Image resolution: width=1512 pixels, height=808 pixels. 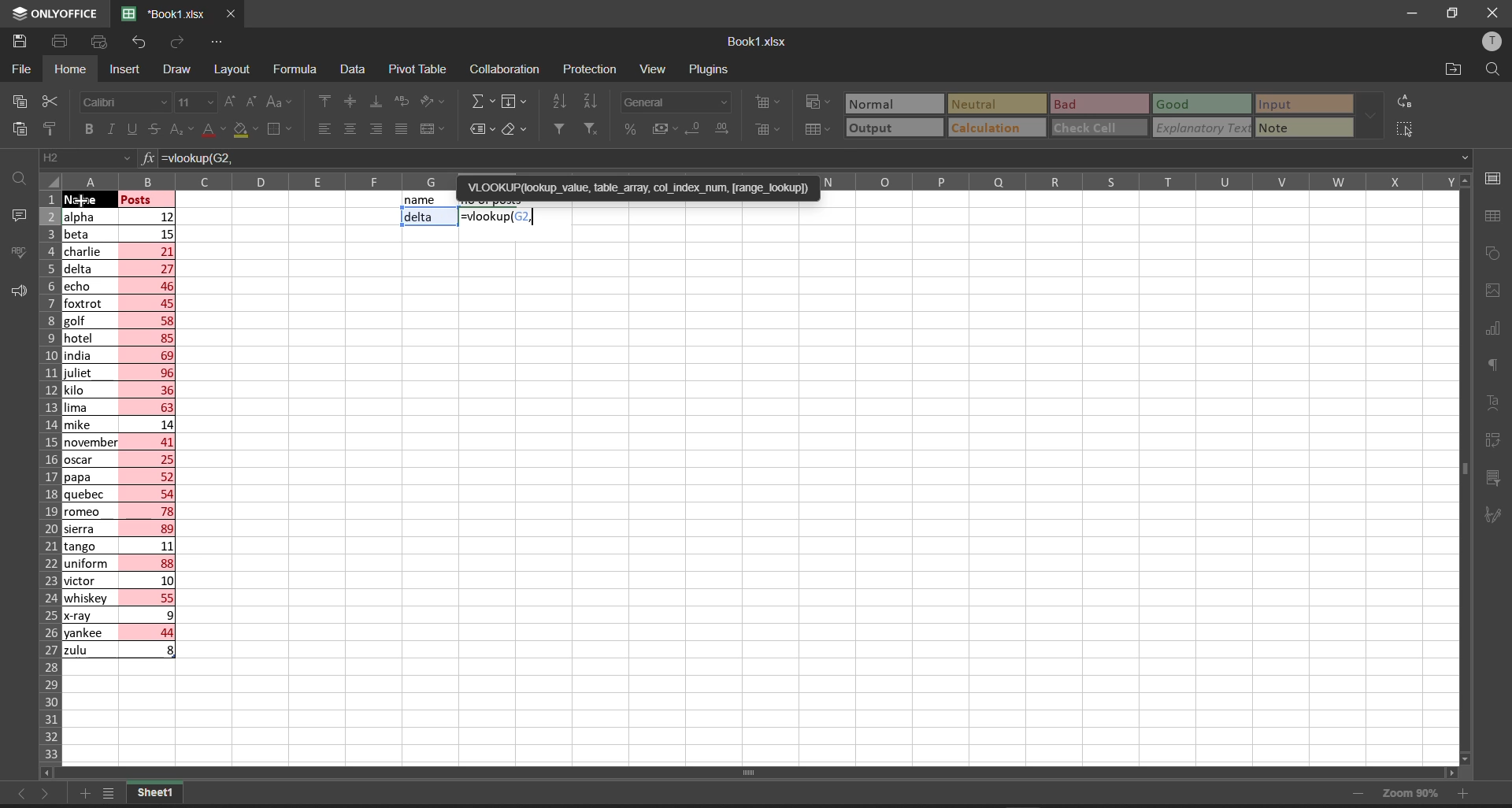 I want to click on vertical scroll bar, so click(x=1464, y=474).